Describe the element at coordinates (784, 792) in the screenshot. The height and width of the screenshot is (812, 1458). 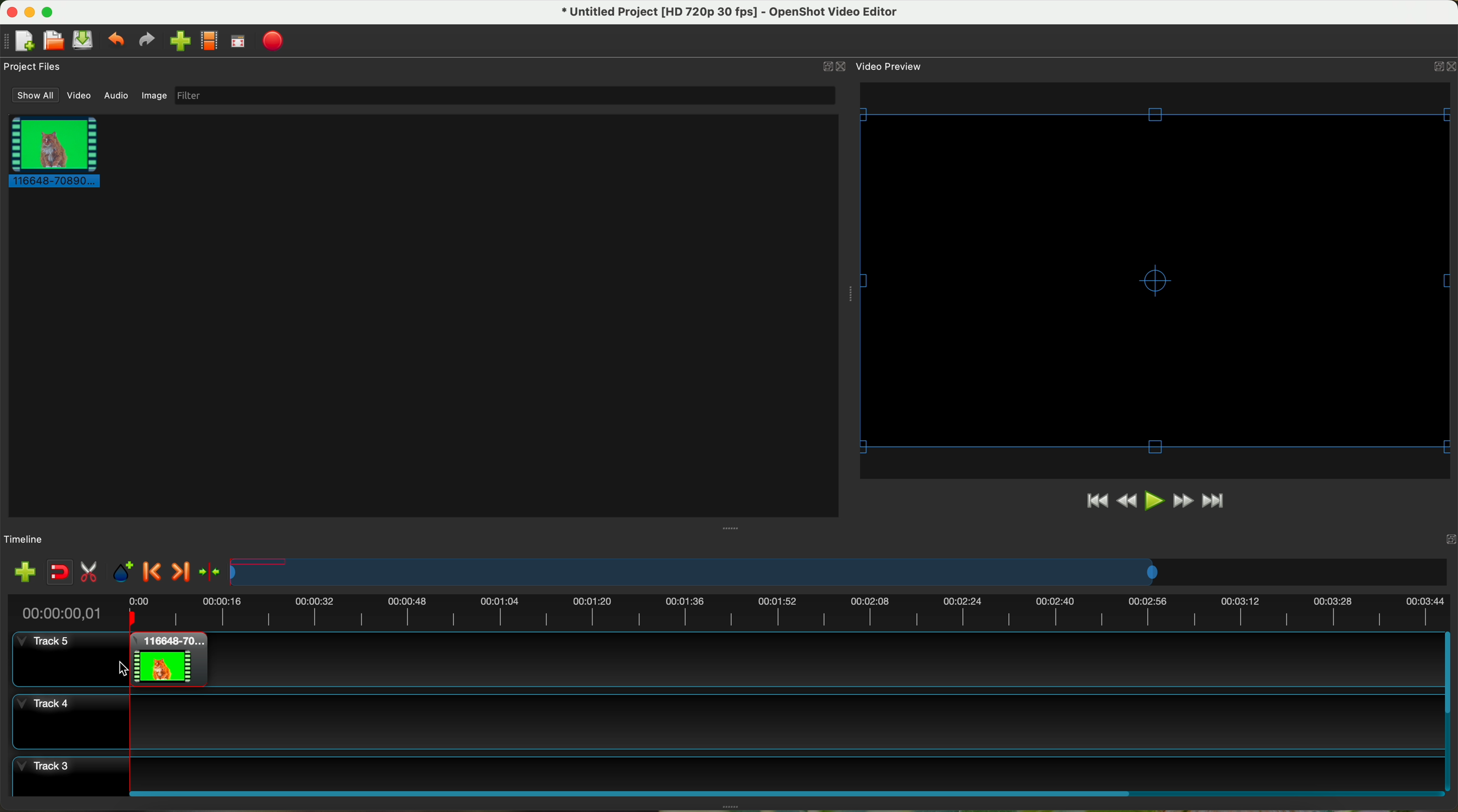
I see `scroll bar` at that location.